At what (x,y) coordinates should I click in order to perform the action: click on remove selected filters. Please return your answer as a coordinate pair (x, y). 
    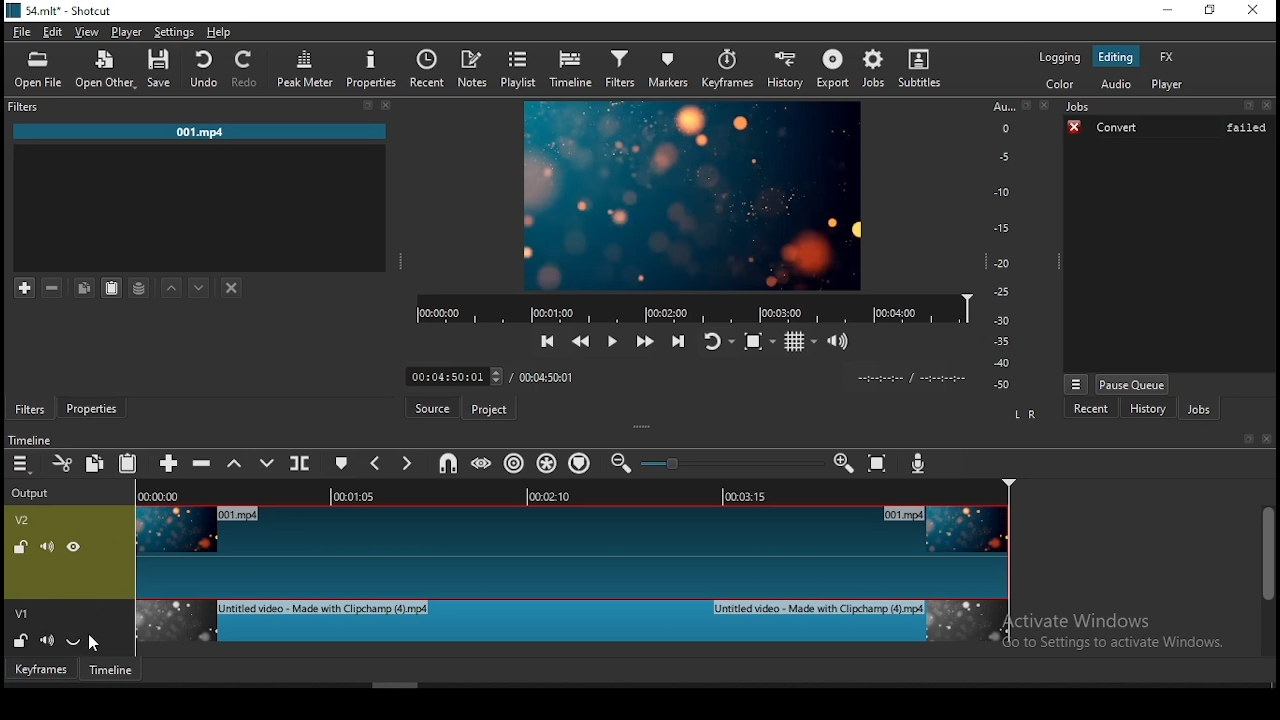
    Looking at the image, I should click on (56, 286).